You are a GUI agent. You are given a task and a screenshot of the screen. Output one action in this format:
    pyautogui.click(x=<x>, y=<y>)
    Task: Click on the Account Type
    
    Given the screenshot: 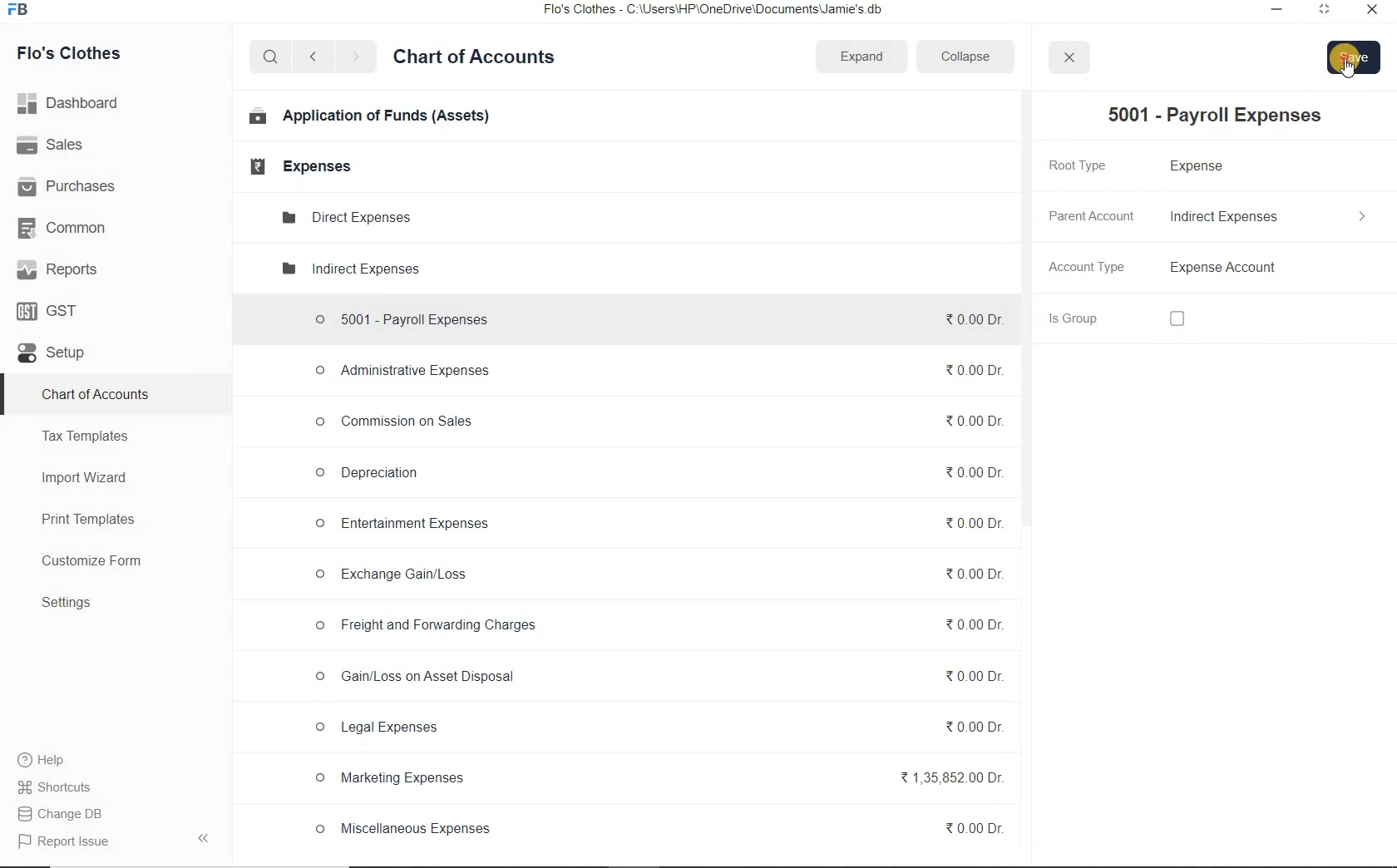 What is the action you would take?
    pyautogui.click(x=1089, y=269)
    